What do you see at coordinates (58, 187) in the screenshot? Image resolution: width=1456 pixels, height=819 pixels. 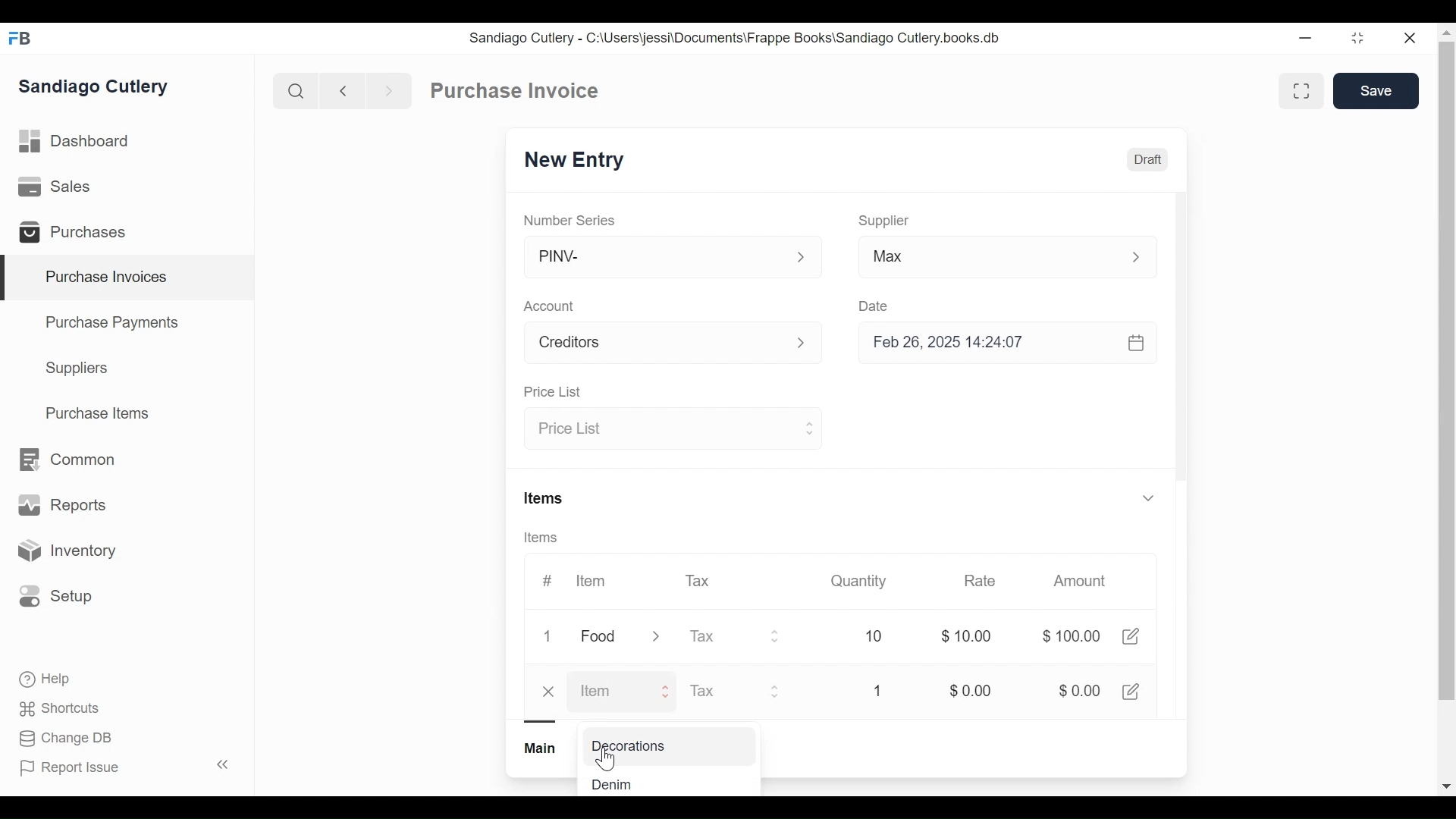 I see `Sales` at bounding box center [58, 187].